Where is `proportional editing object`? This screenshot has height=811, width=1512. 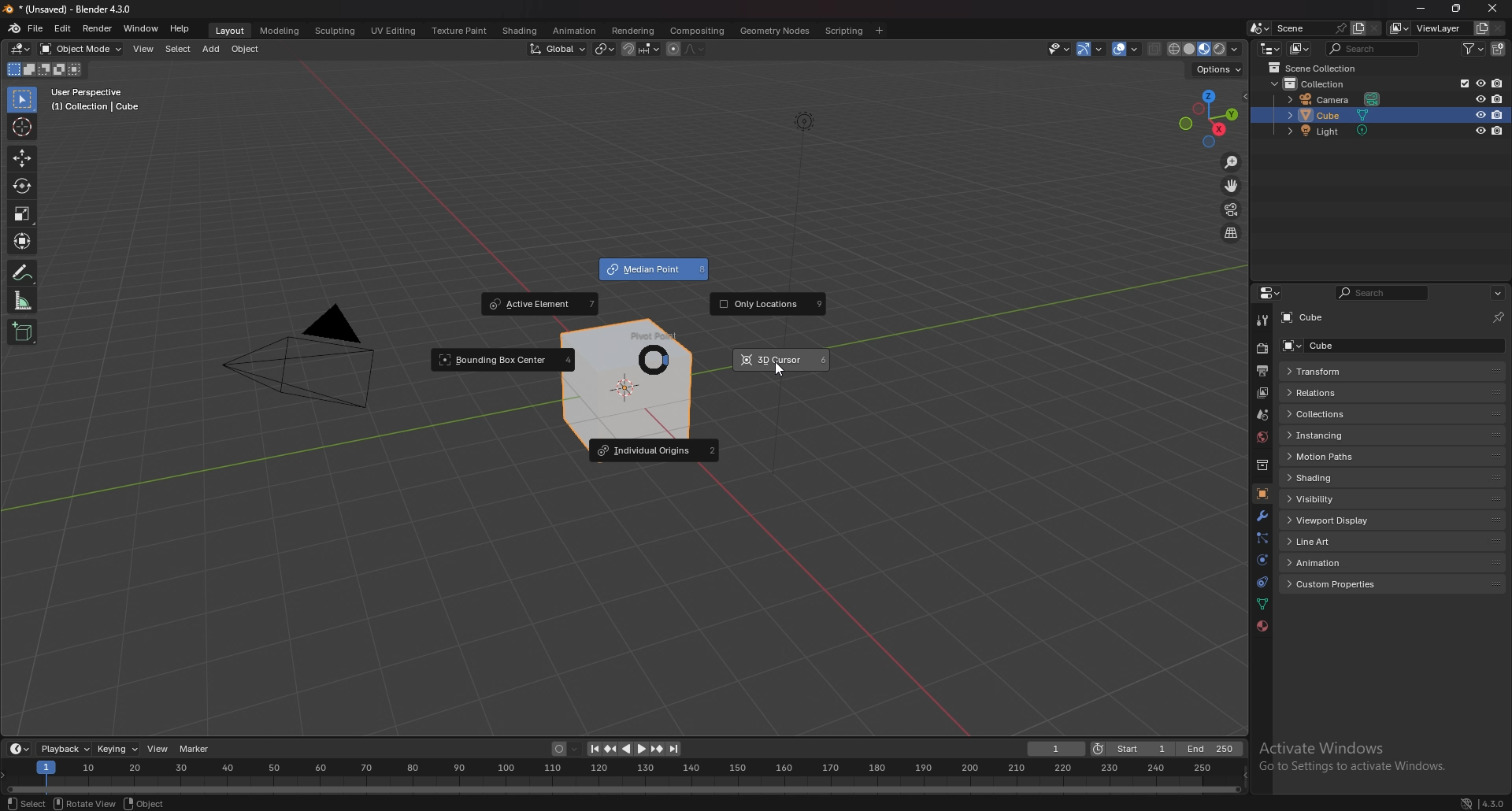 proportional editing object is located at coordinates (674, 50).